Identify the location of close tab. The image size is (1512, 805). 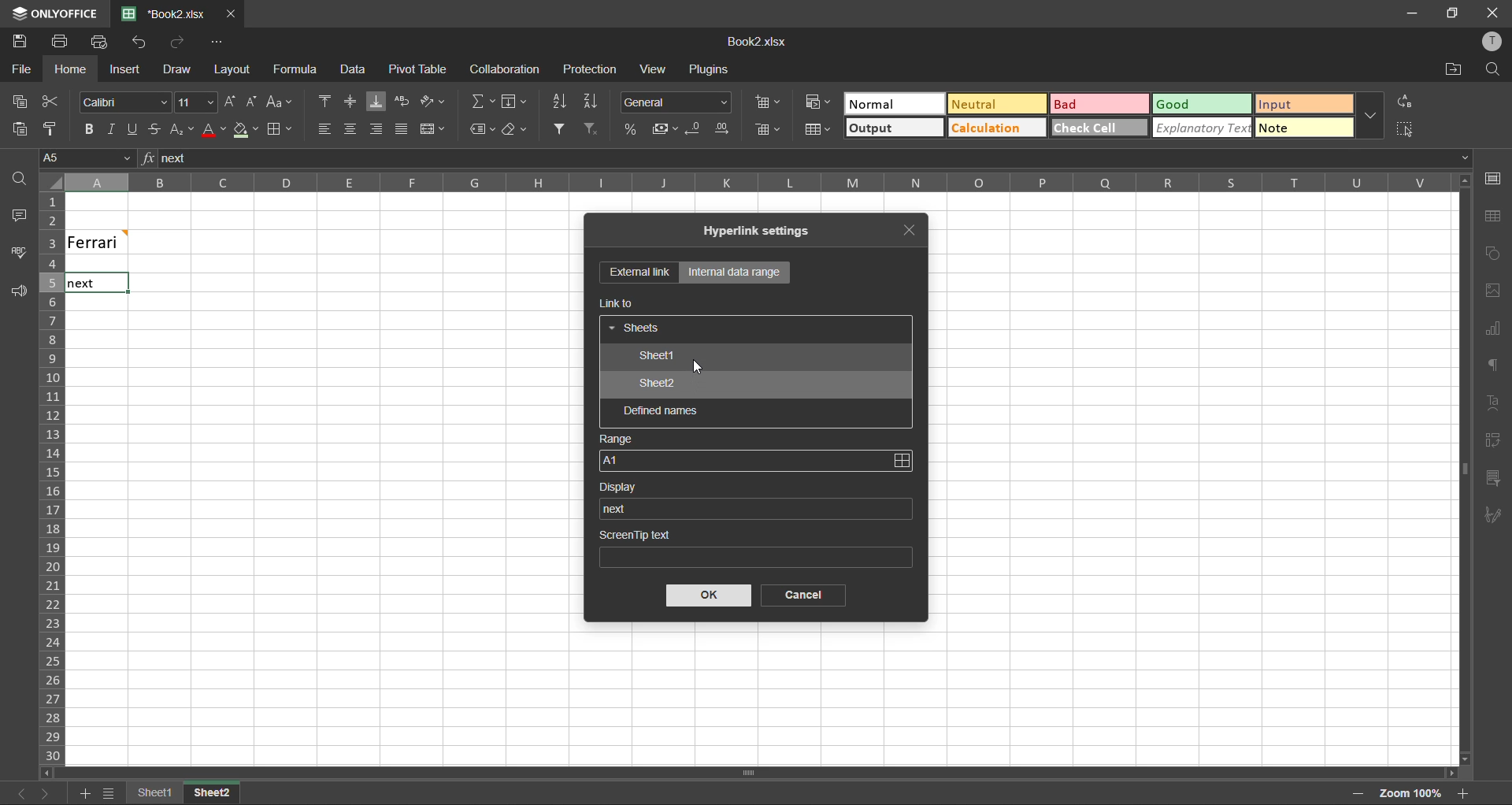
(916, 228).